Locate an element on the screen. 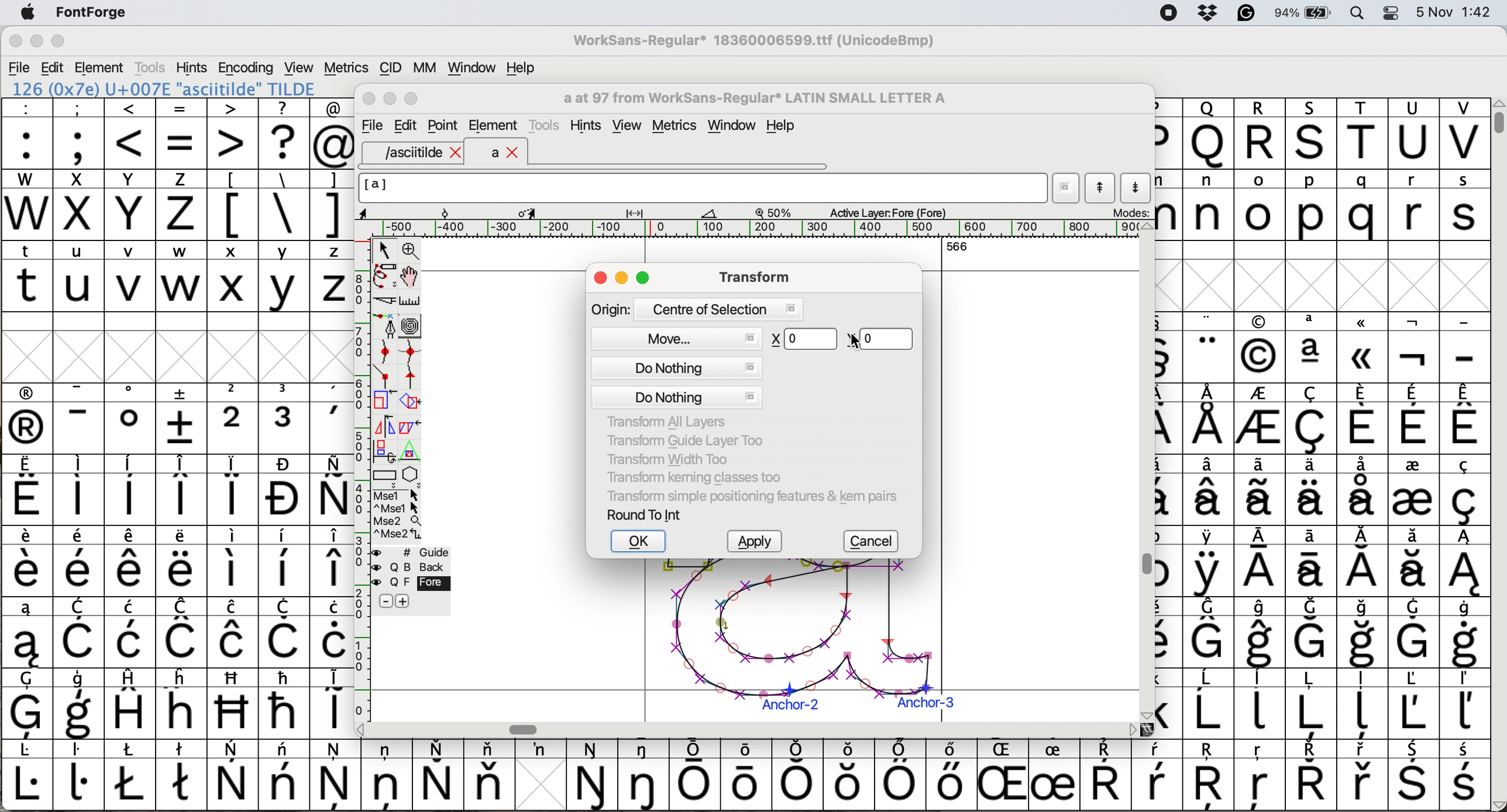 Image resolution: width=1507 pixels, height=812 pixels. symbol is located at coordinates (1210, 704).